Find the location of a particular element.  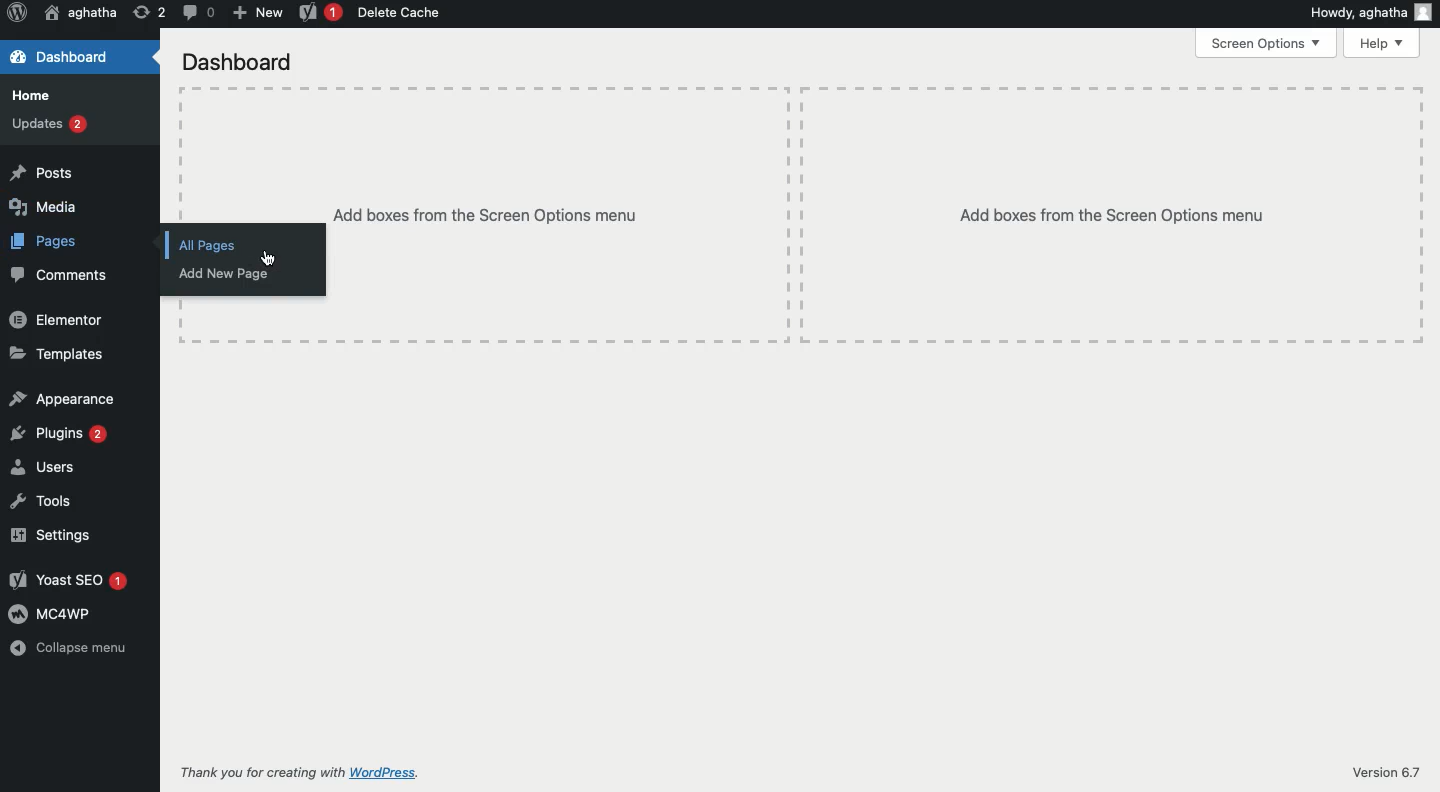

New is located at coordinates (256, 14).